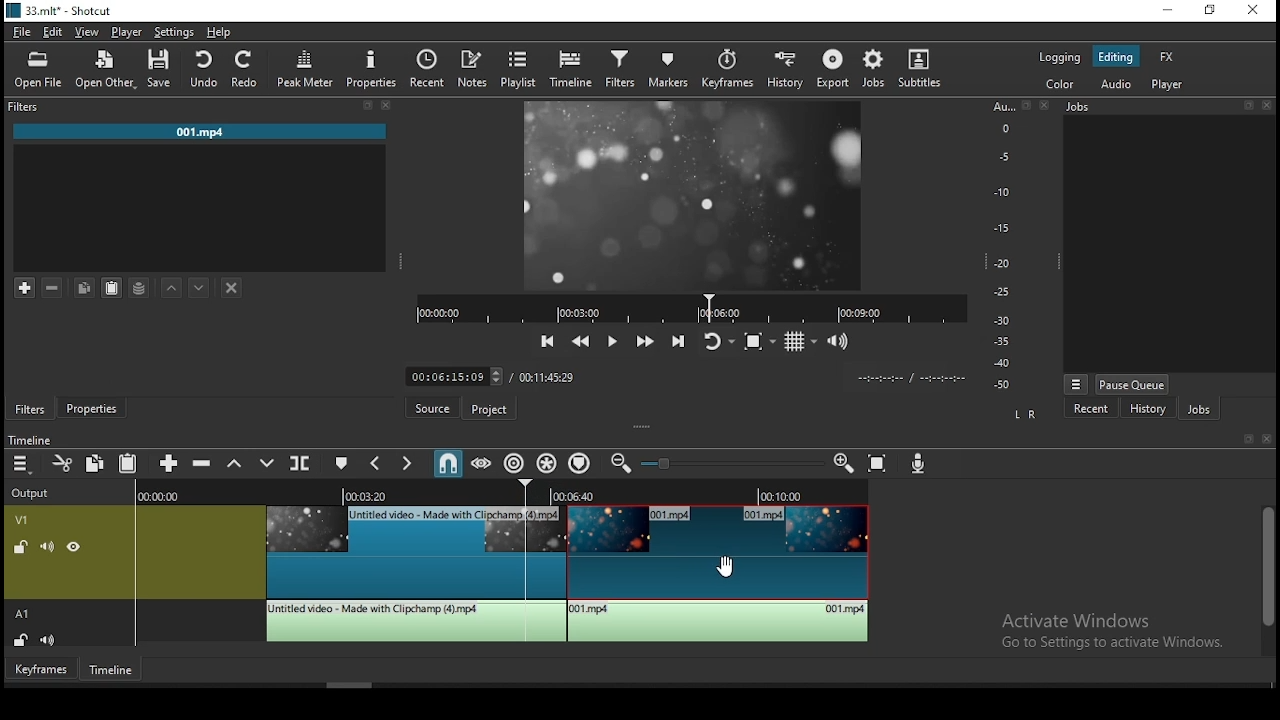 This screenshot has width=1280, height=720. What do you see at coordinates (72, 548) in the screenshot?
I see `un(hide)` at bounding box center [72, 548].